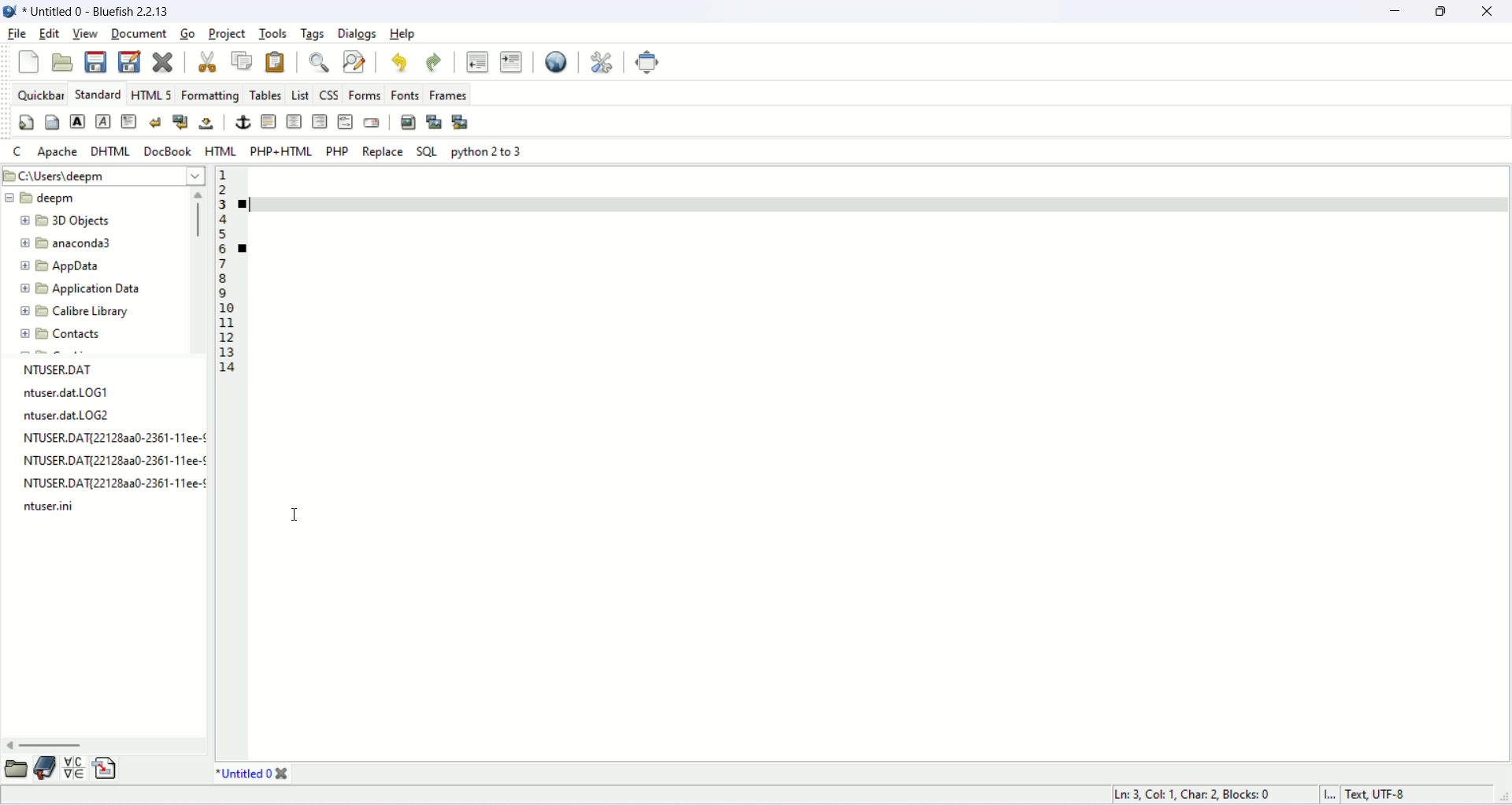 Image resolution: width=1512 pixels, height=805 pixels. What do you see at coordinates (167, 150) in the screenshot?
I see `DocBook` at bounding box center [167, 150].